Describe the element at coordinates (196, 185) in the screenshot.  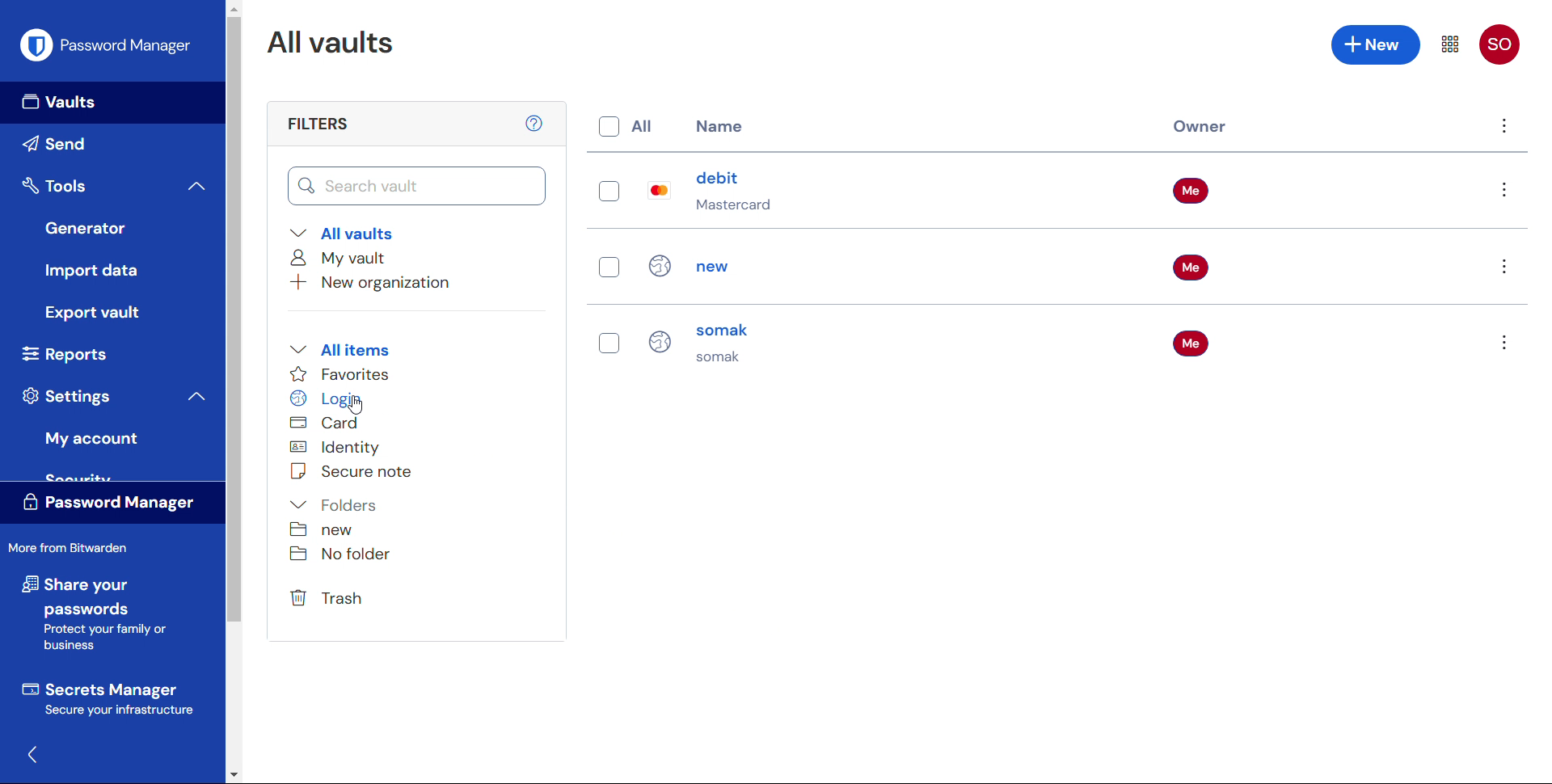
I see `Collapse tools menu ` at that location.